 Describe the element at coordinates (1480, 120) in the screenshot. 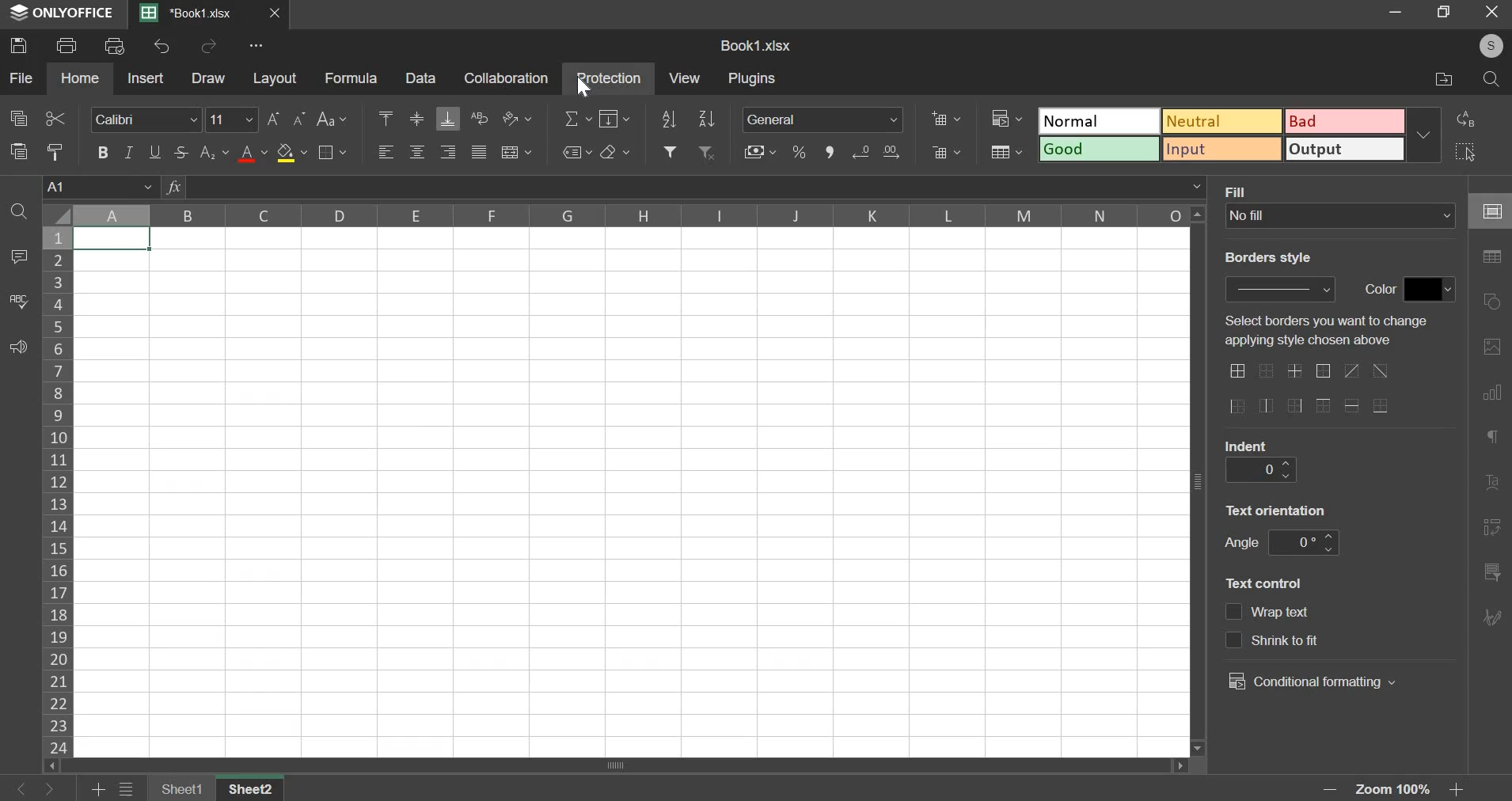

I see `replace` at that location.